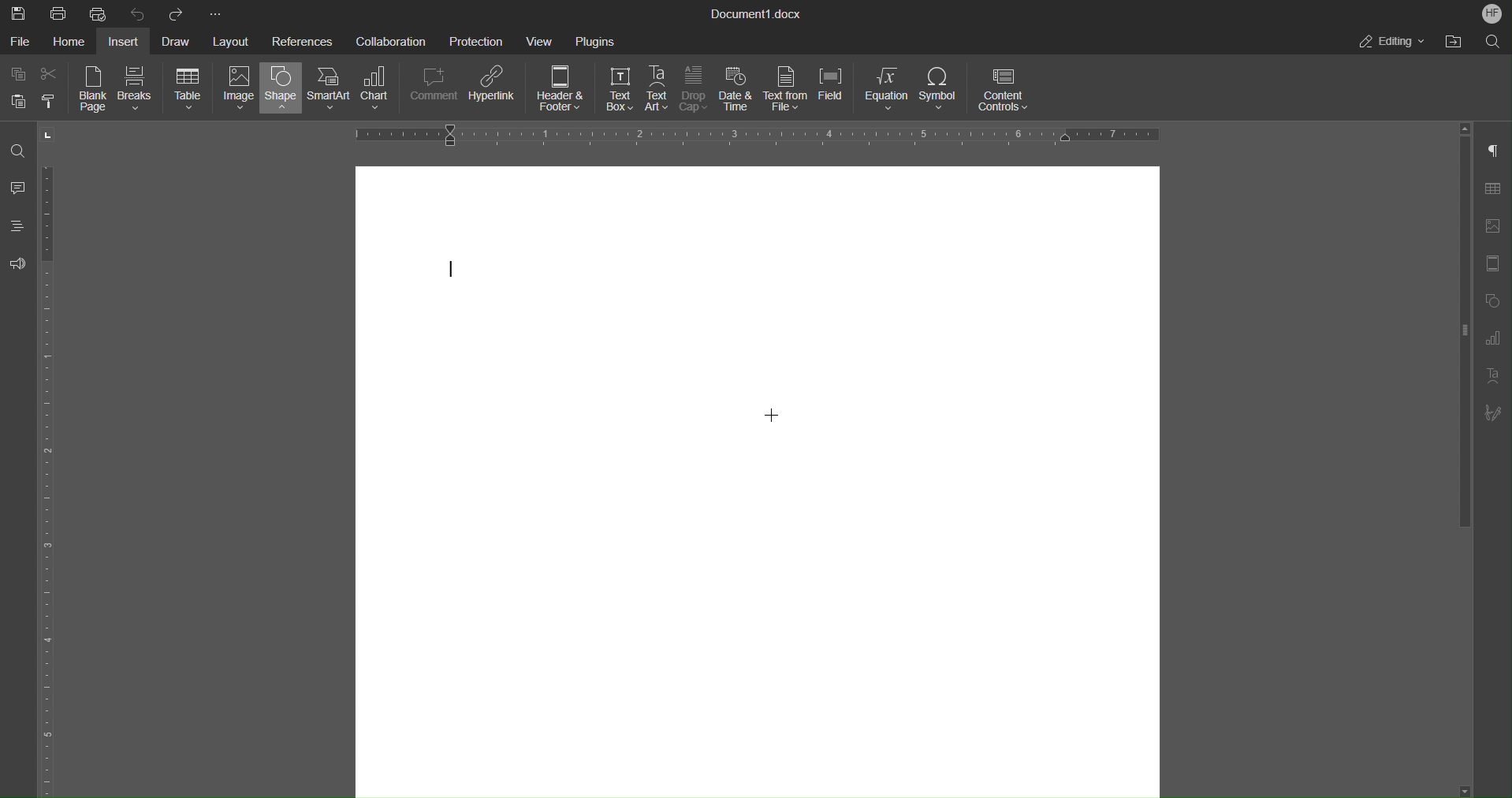  Describe the element at coordinates (54, 74) in the screenshot. I see `Cut` at that location.